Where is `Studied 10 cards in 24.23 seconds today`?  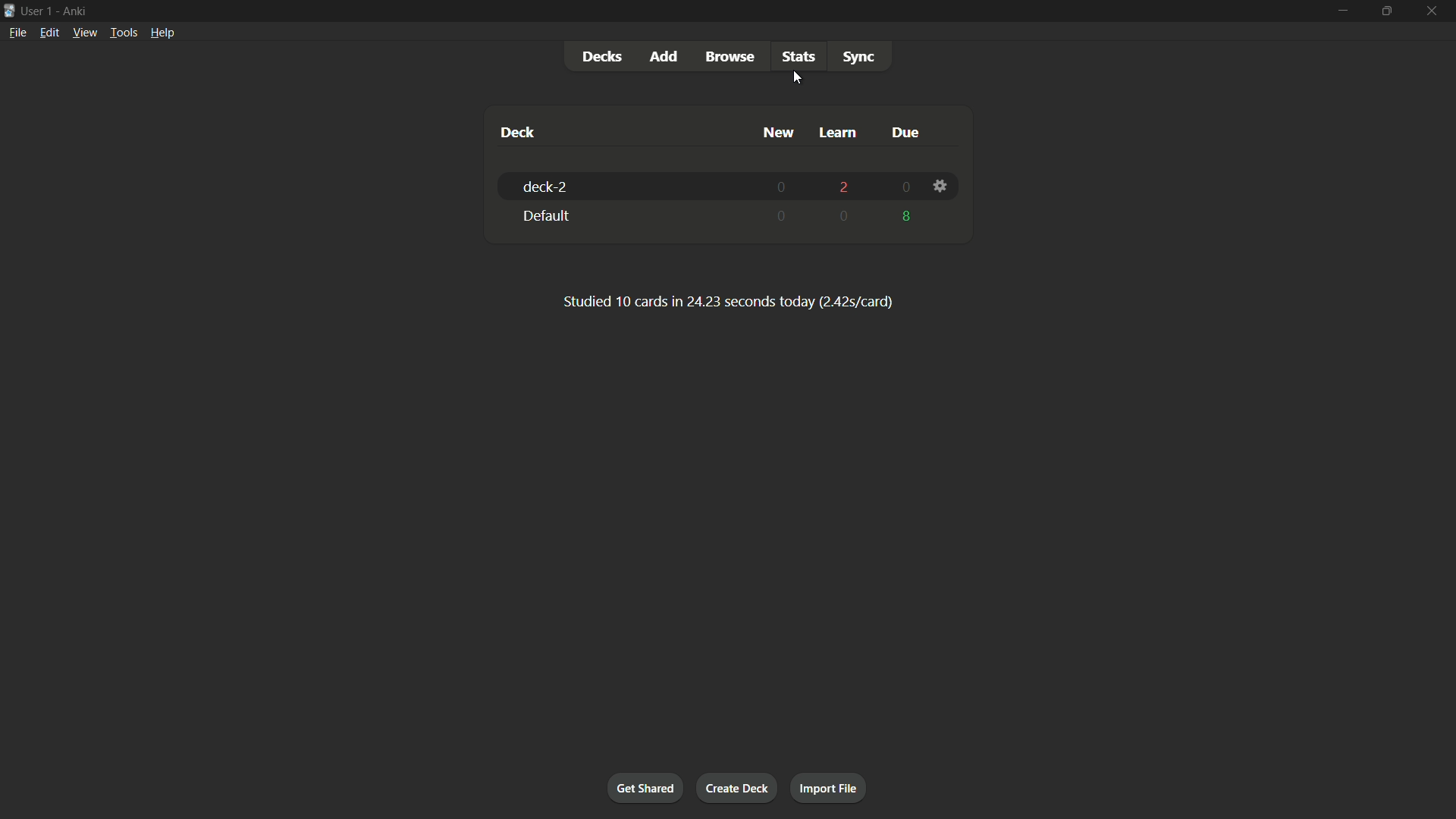 Studied 10 cards in 24.23 seconds today is located at coordinates (727, 300).